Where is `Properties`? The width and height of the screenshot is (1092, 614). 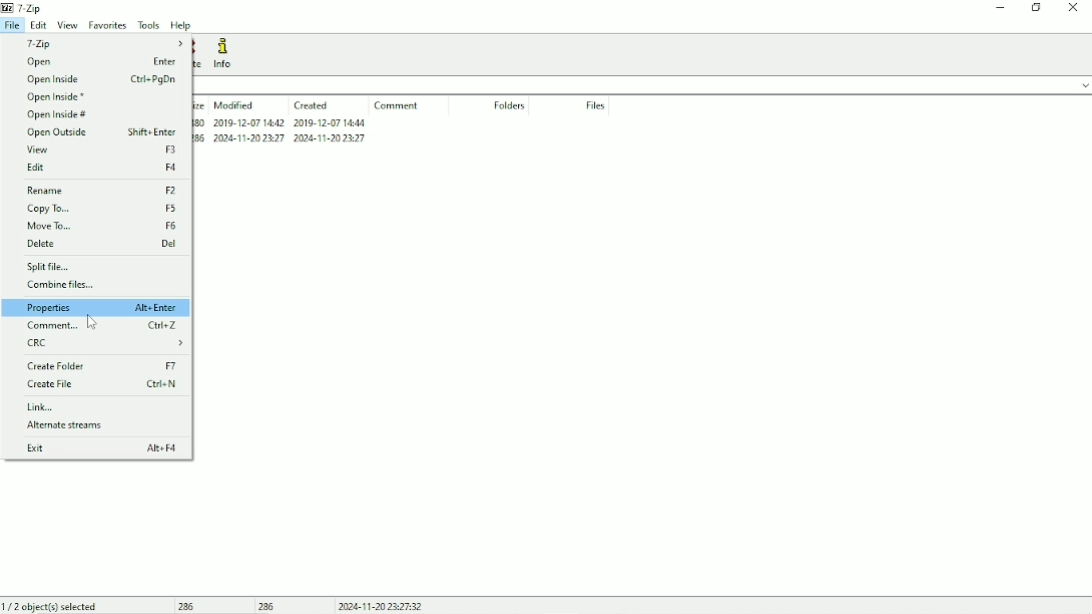 Properties is located at coordinates (96, 307).